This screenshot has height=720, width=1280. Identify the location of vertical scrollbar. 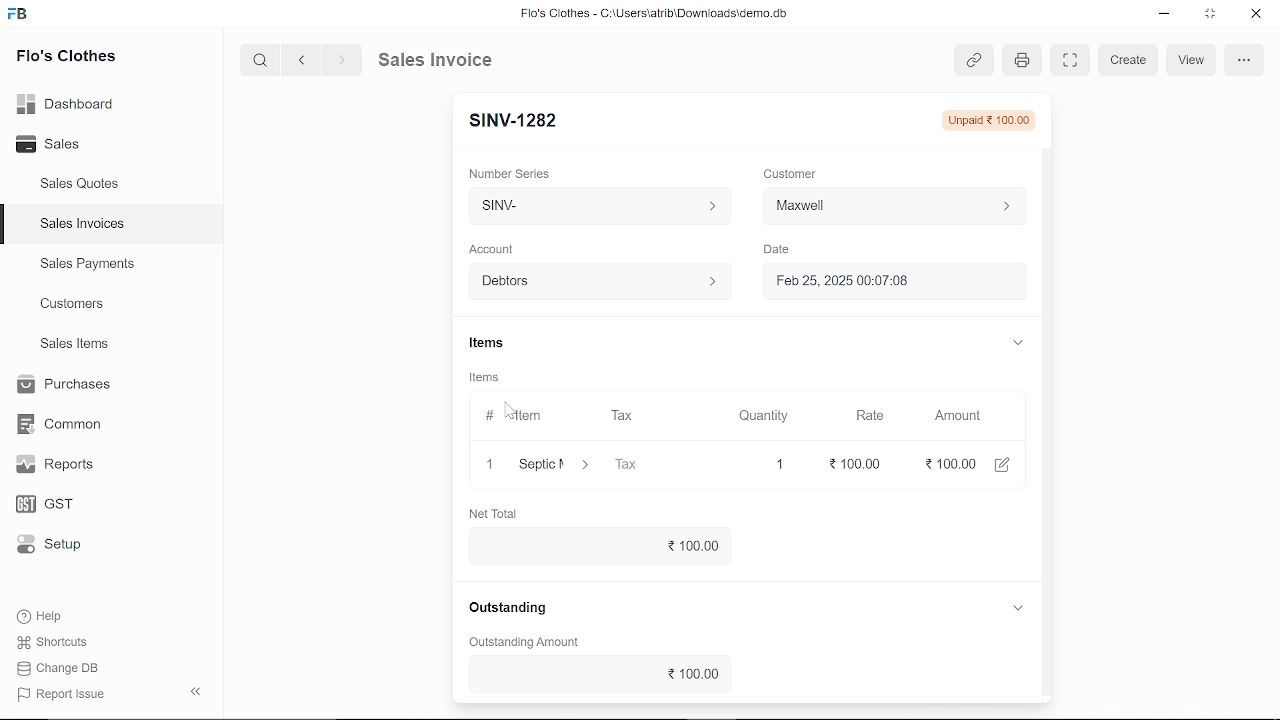
(1050, 325).